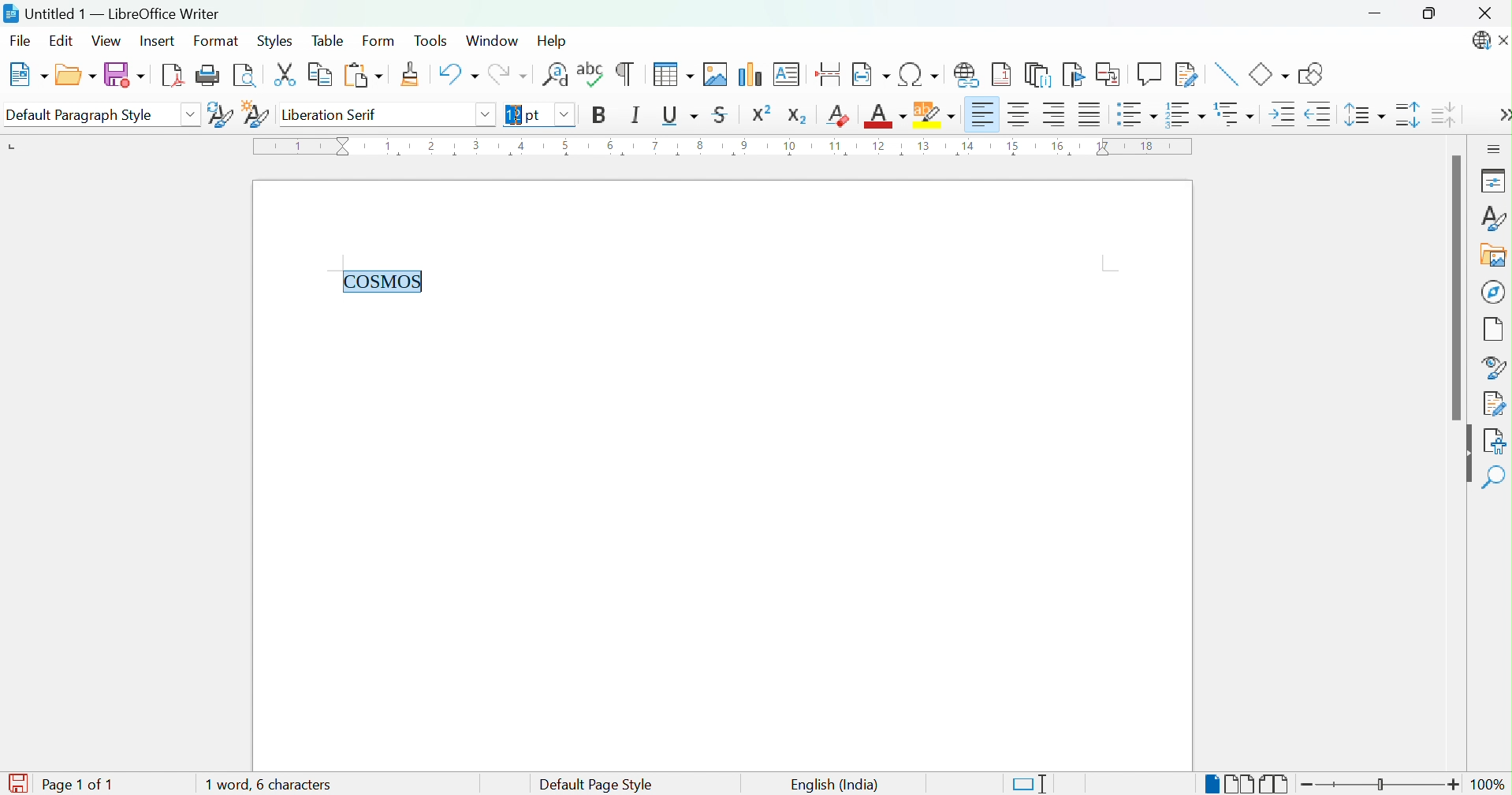 This screenshot has width=1512, height=795. What do you see at coordinates (361, 76) in the screenshot?
I see `Paste` at bounding box center [361, 76].